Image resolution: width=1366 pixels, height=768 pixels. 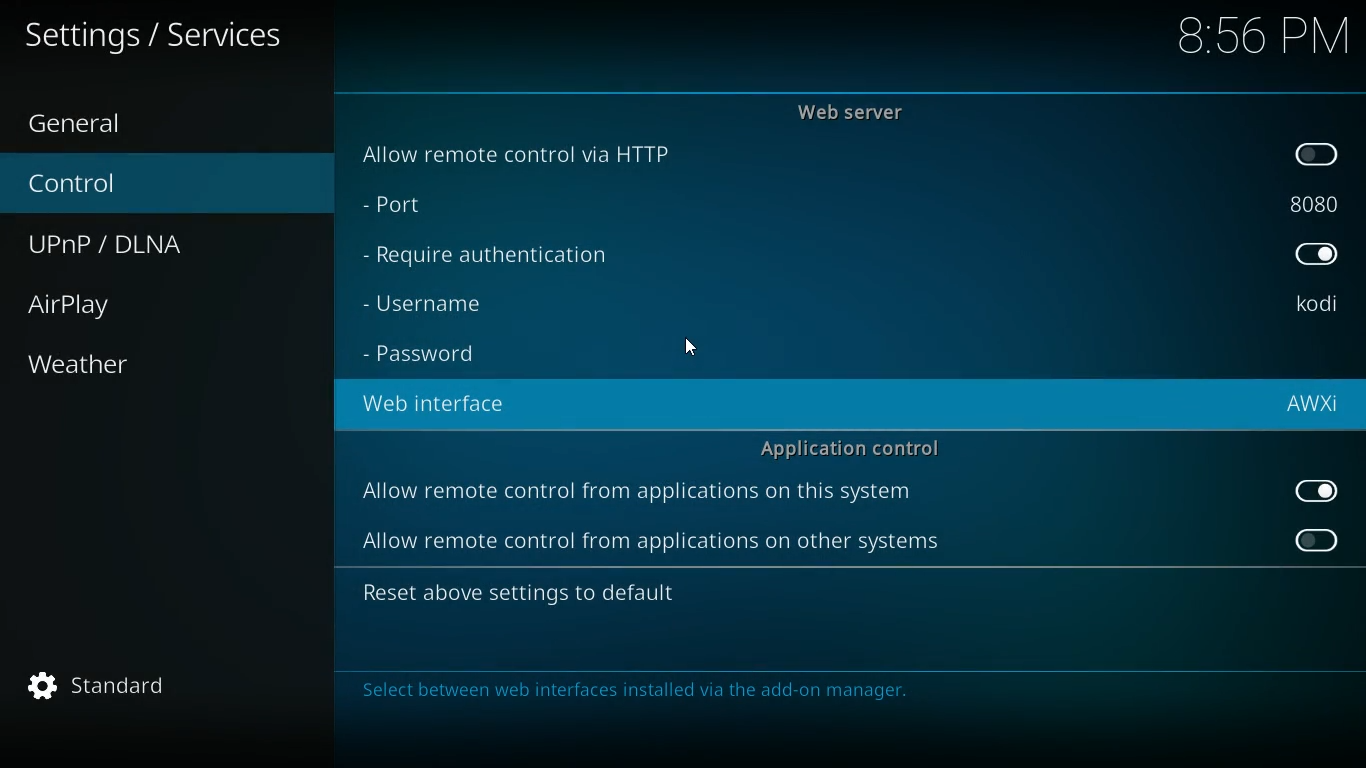 What do you see at coordinates (1313, 201) in the screenshot?
I see `8080` at bounding box center [1313, 201].